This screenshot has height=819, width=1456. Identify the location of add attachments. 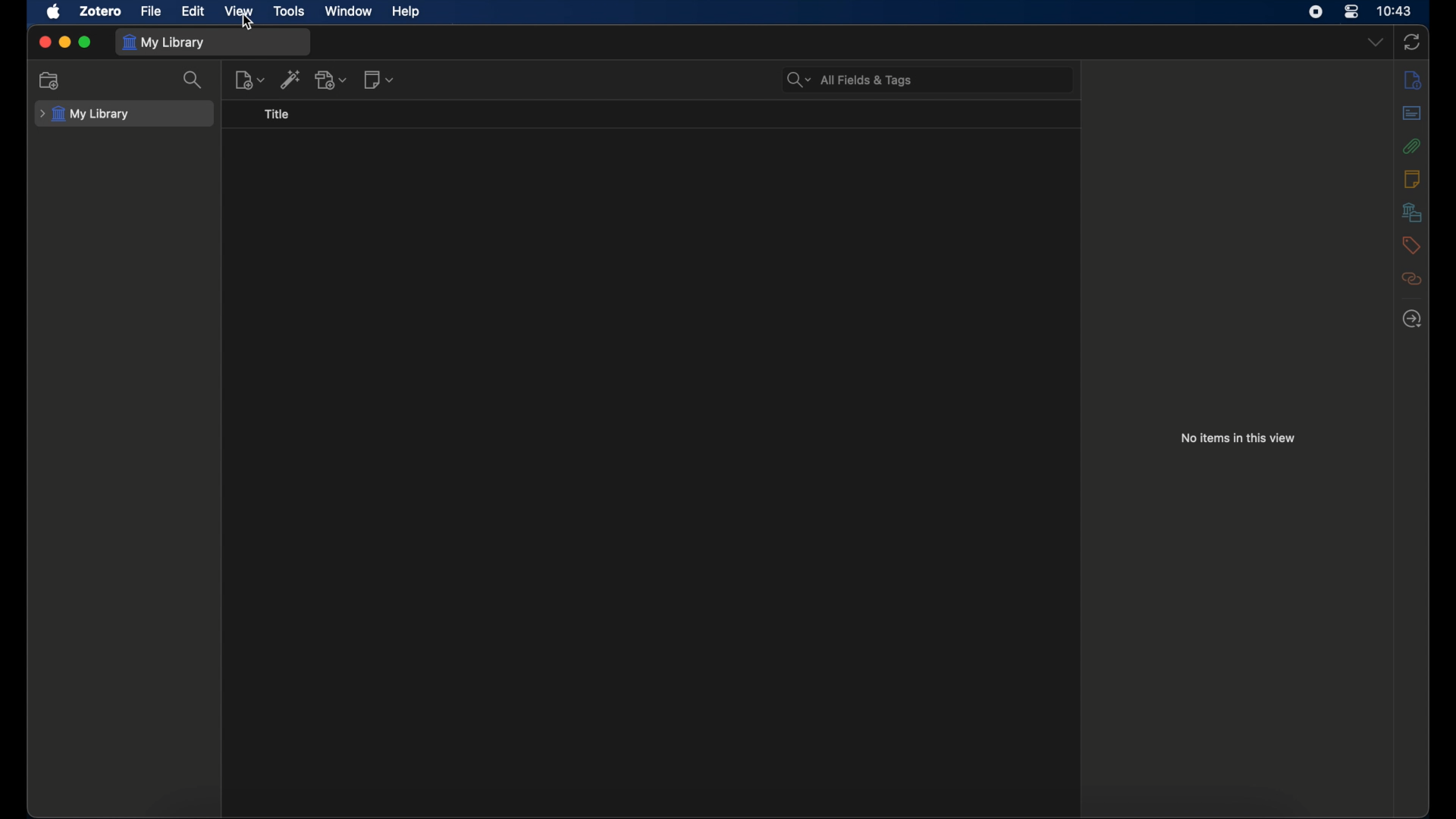
(331, 79).